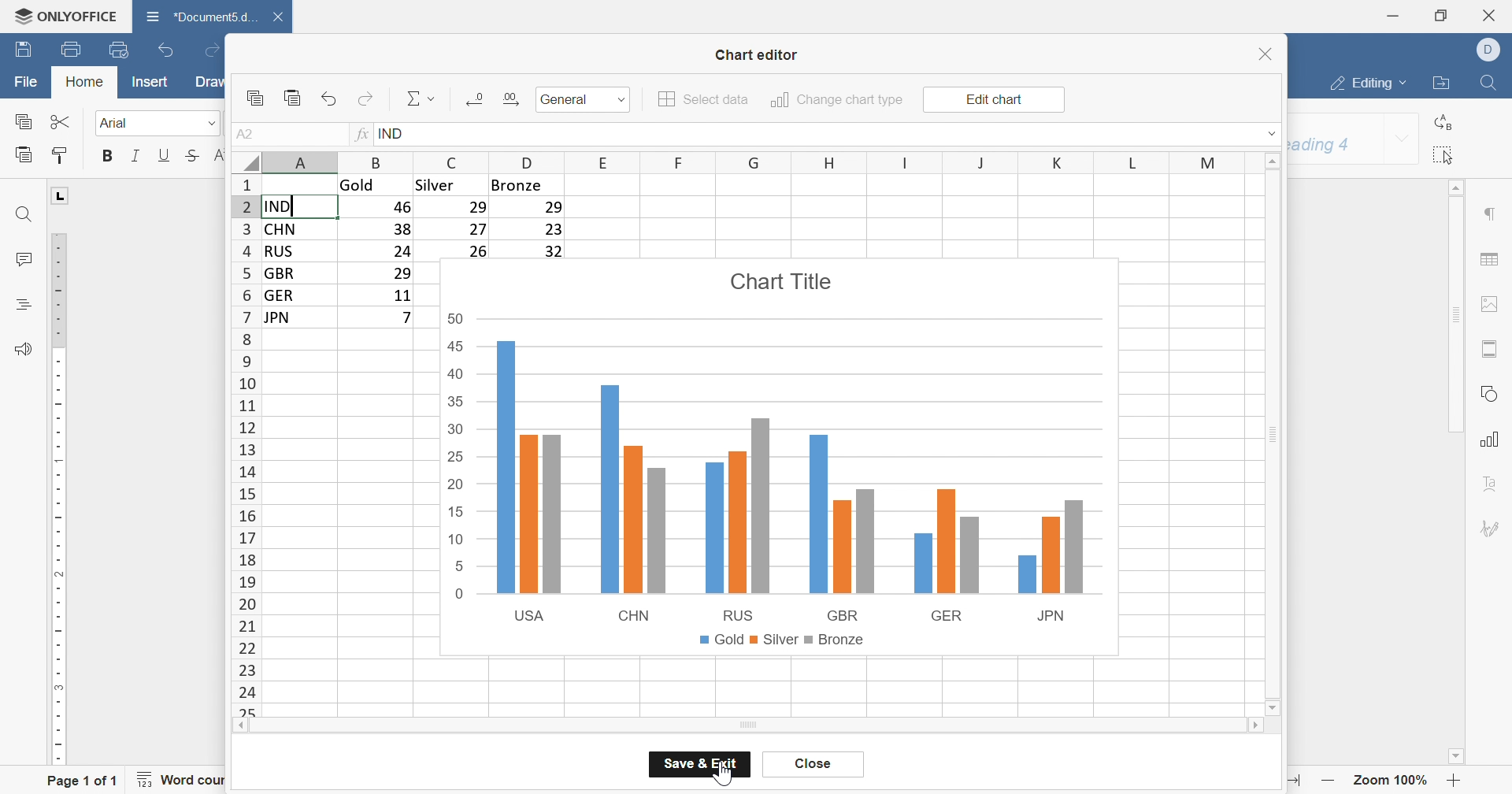 The width and height of the screenshot is (1512, 794). What do you see at coordinates (118, 124) in the screenshot?
I see `Arial` at bounding box center [118, 124].